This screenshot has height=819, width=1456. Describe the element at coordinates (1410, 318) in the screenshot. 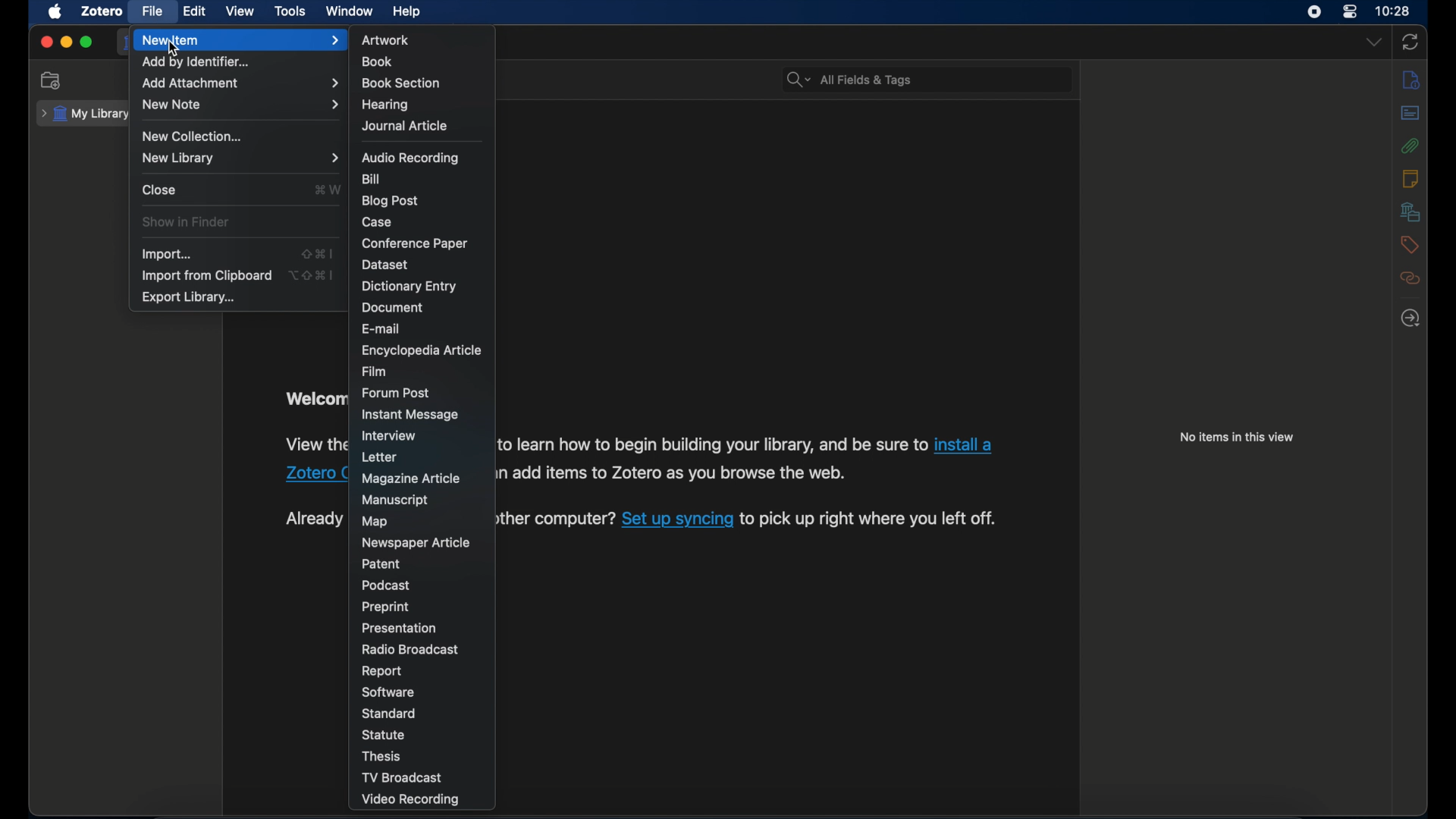

I see `locate` at that location.